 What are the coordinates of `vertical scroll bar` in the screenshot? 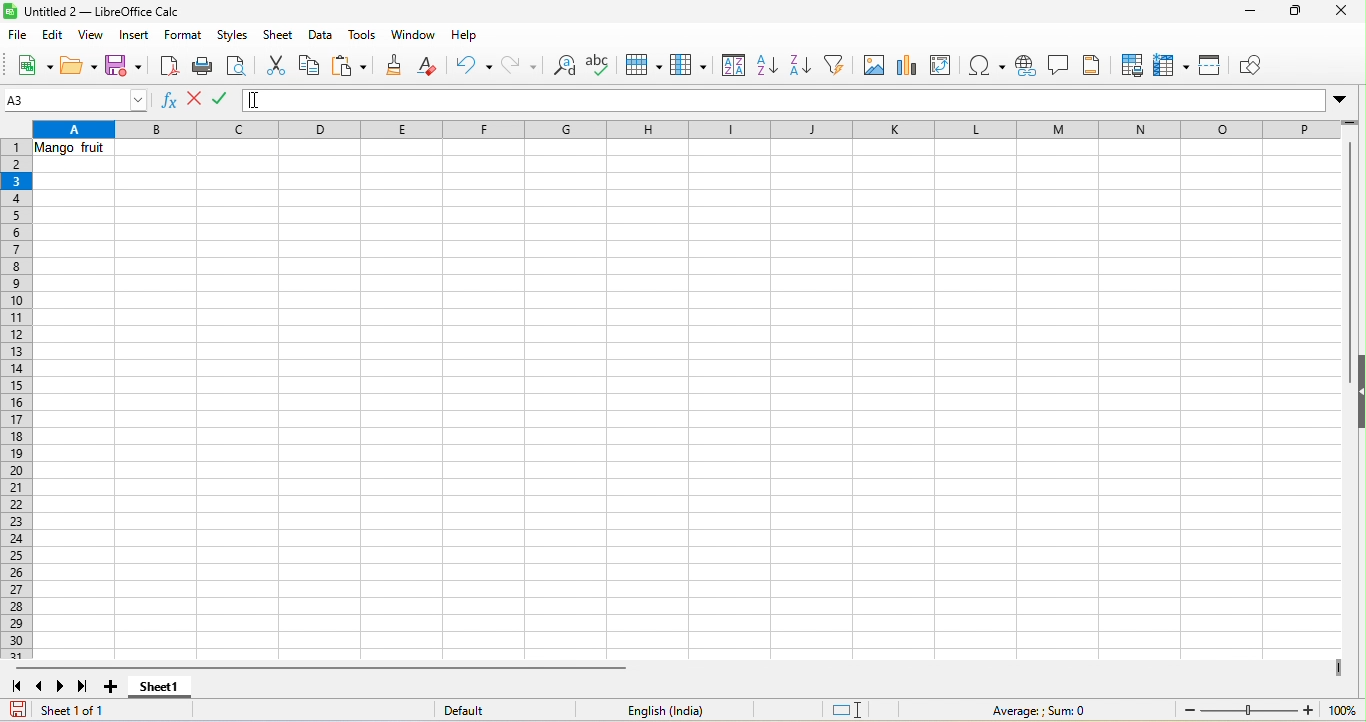 It's located at (1346, 243).